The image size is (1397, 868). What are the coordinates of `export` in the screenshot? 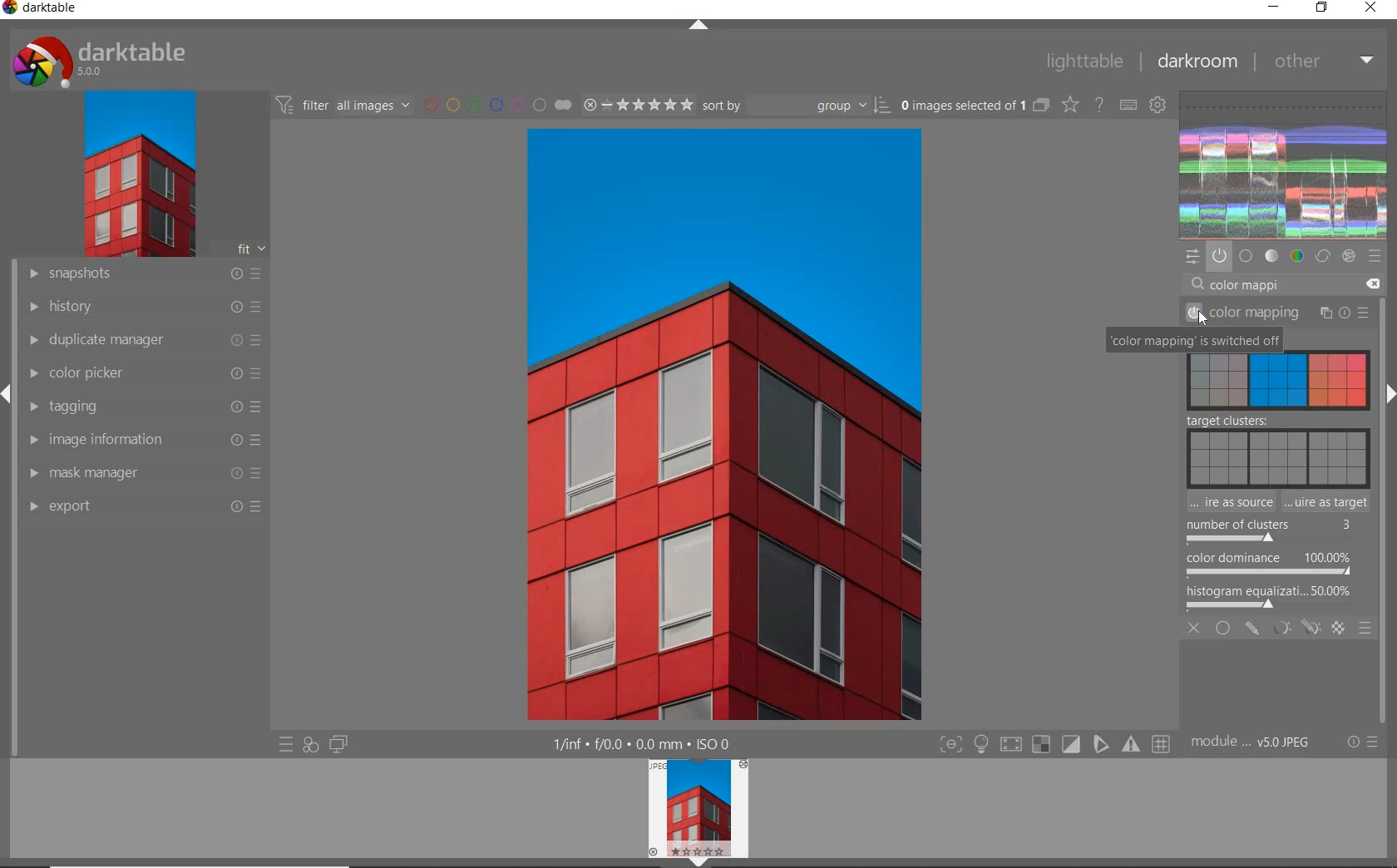 It's located at (144, 507).